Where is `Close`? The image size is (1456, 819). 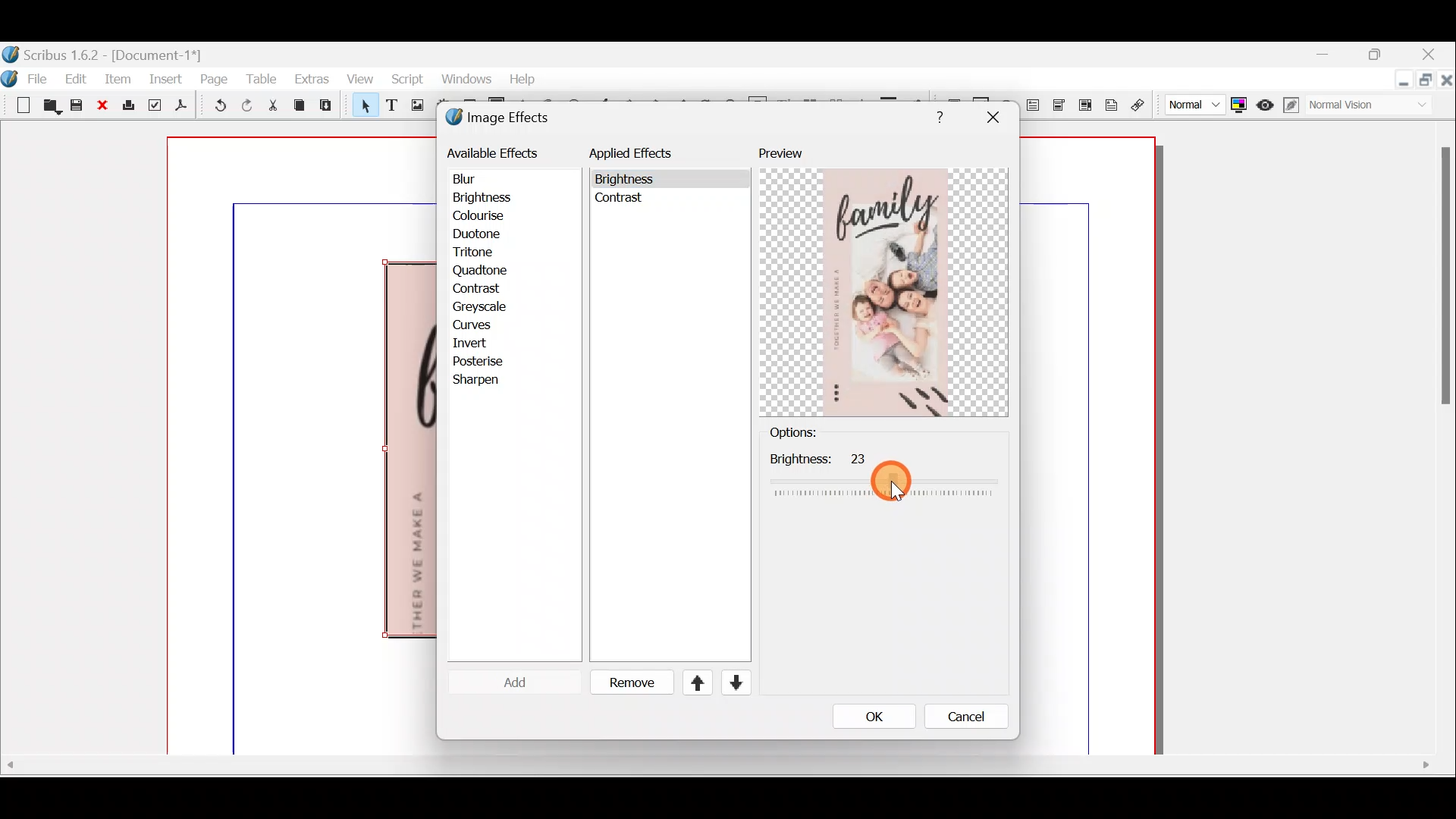 Close is located at coordinates (102, 106).